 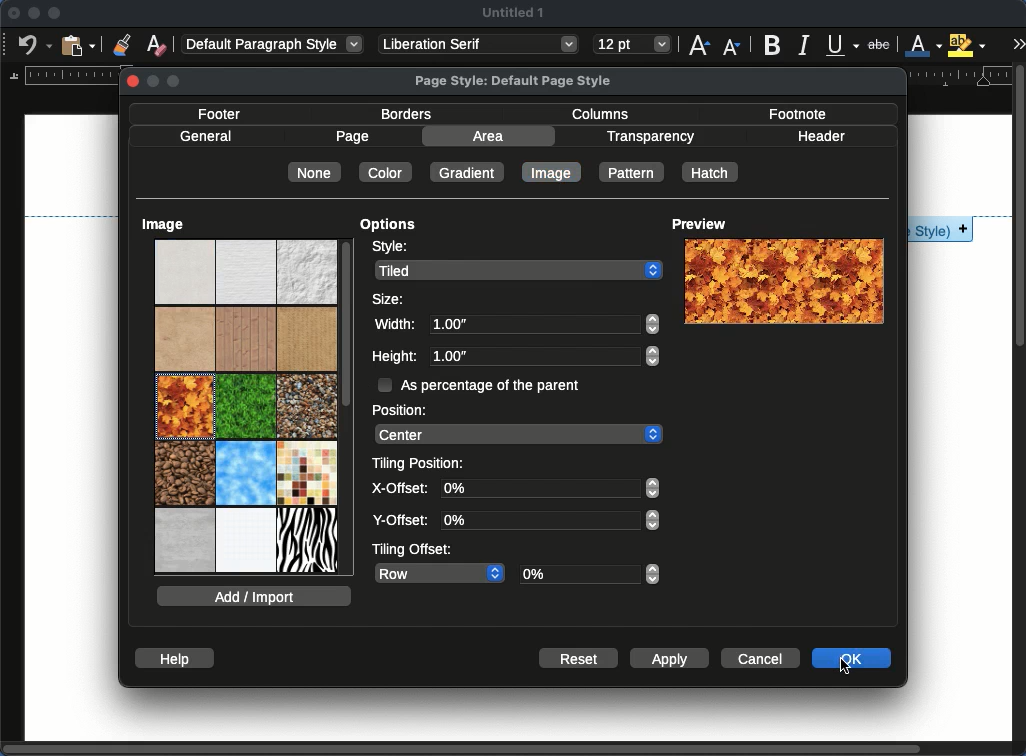 What do you see at coordinates (1021, 410) in the screenshot?
I see `scroll` at bounding box center [1021, 410].